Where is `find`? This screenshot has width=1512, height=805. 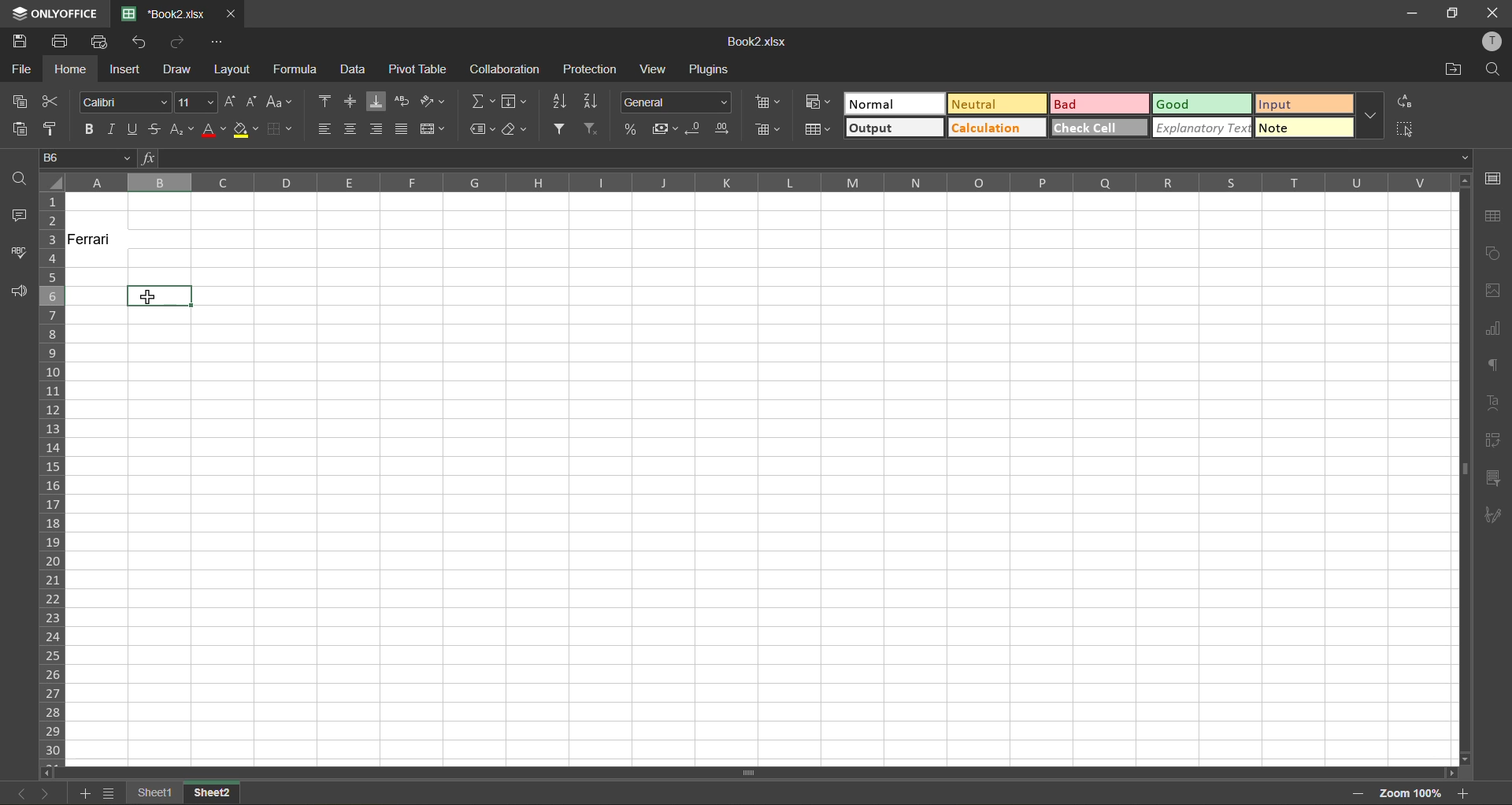 find is located at coordinates (1492, 70).